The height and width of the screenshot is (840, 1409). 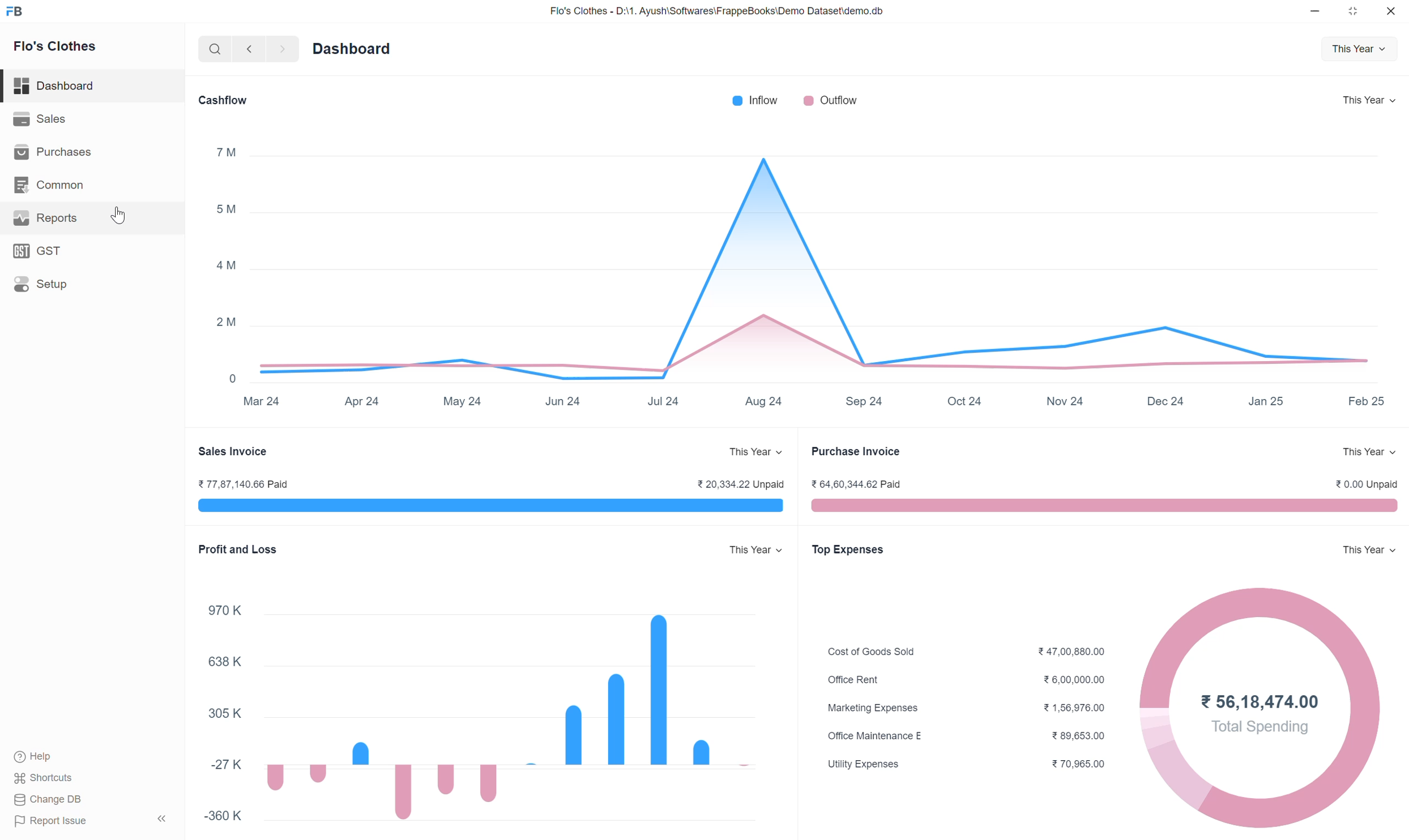 I want to click on 0, so click(x=236, y=379).